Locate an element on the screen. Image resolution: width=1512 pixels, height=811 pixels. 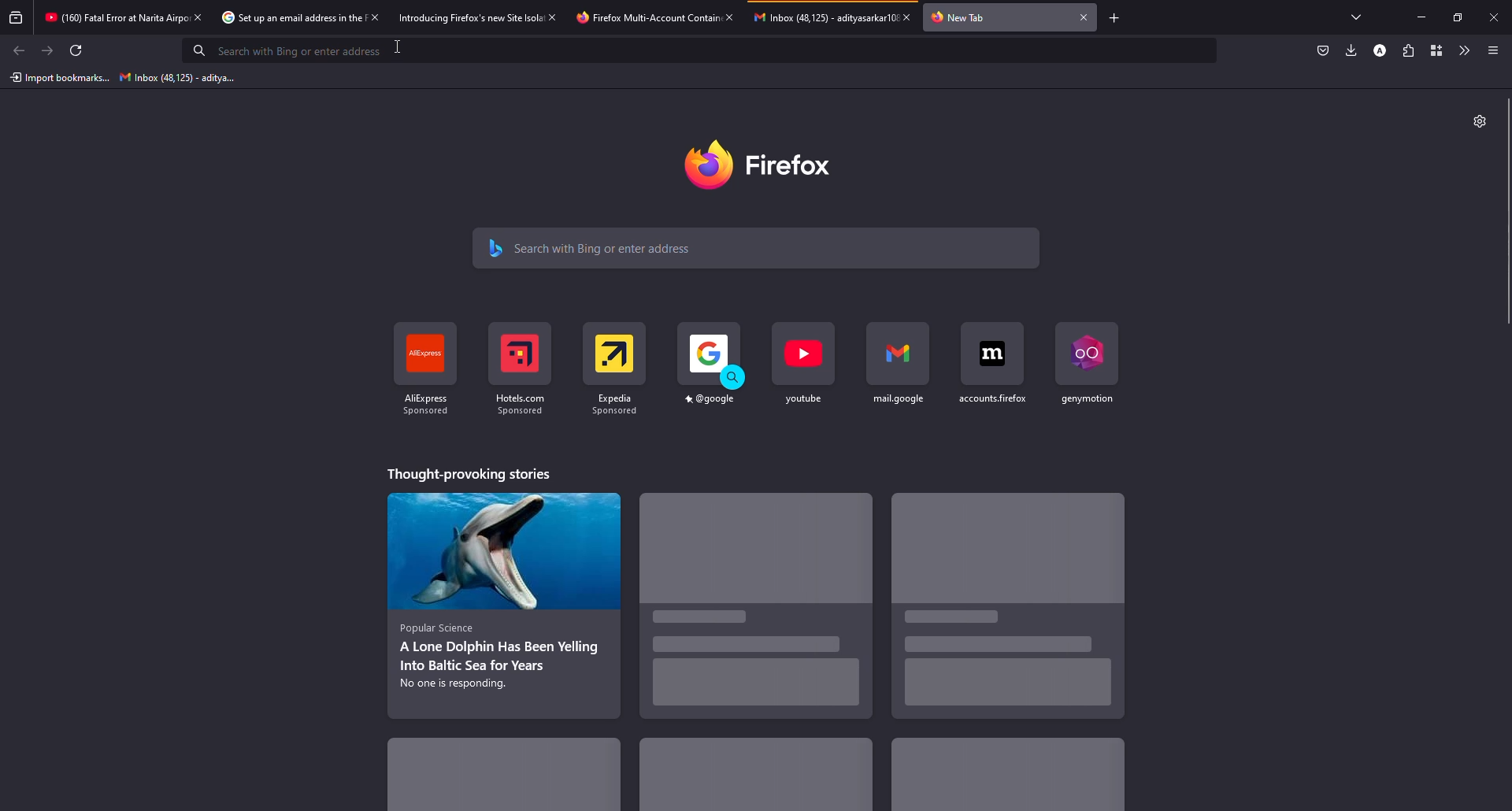
tab is located at coordinates (280, 18).